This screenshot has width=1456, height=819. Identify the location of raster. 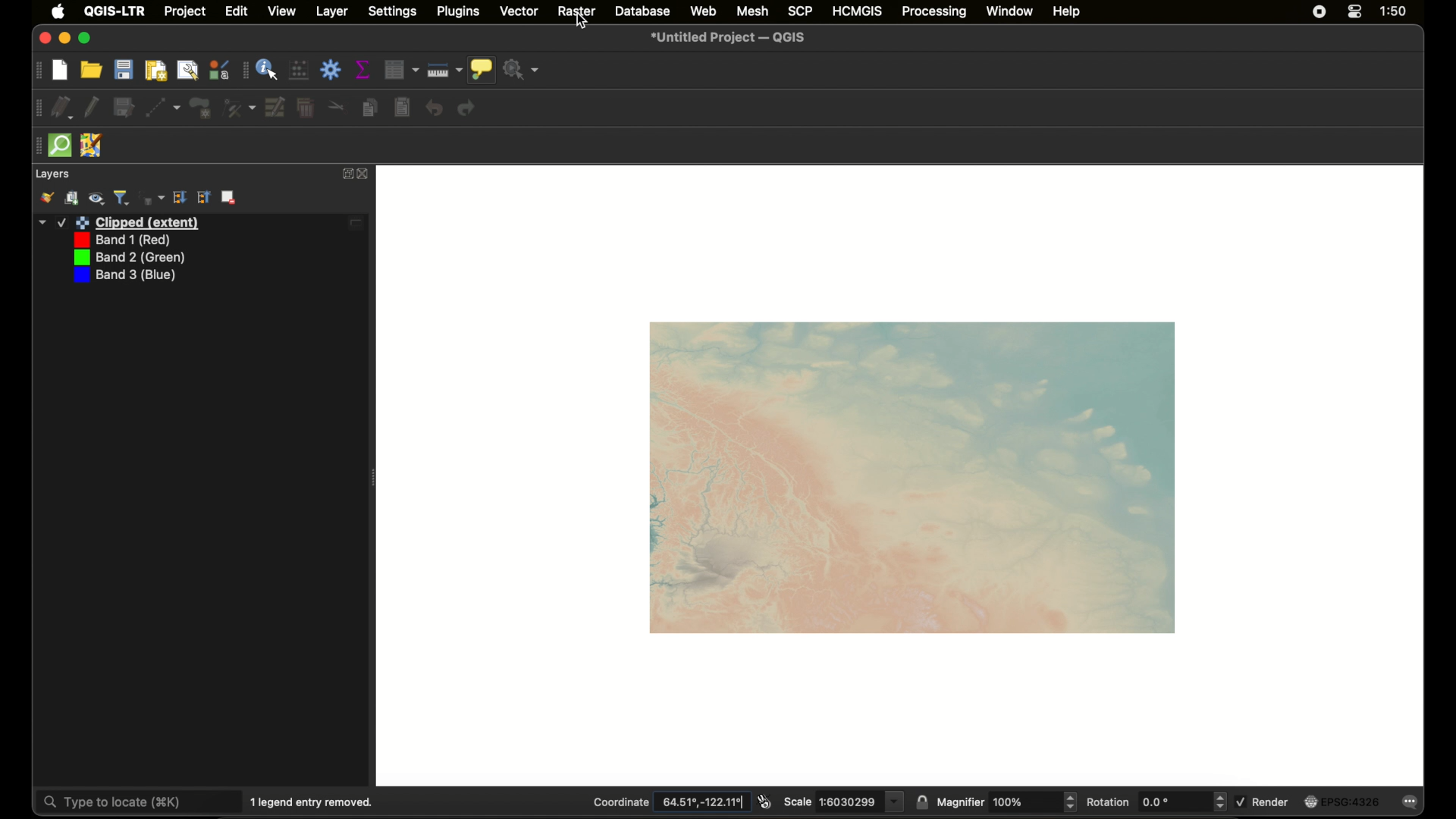
(577, 12).